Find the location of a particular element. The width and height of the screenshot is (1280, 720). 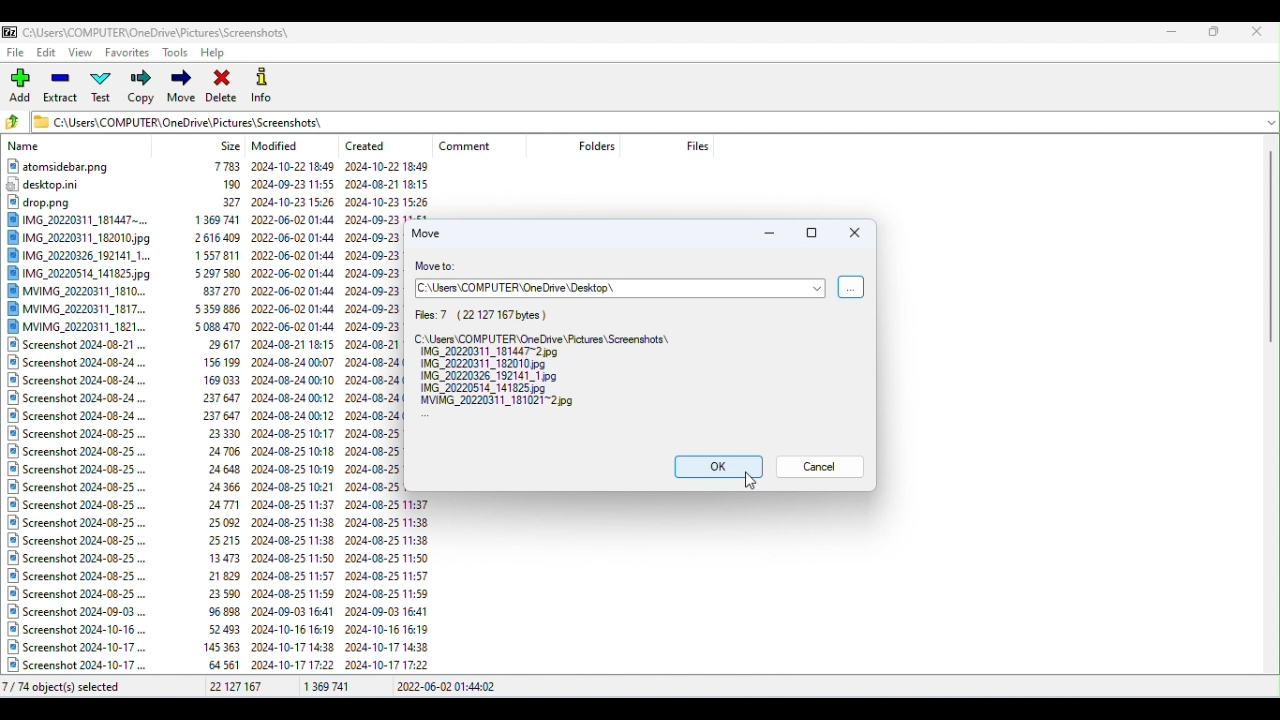

Move is located at coordinates (431, 232).